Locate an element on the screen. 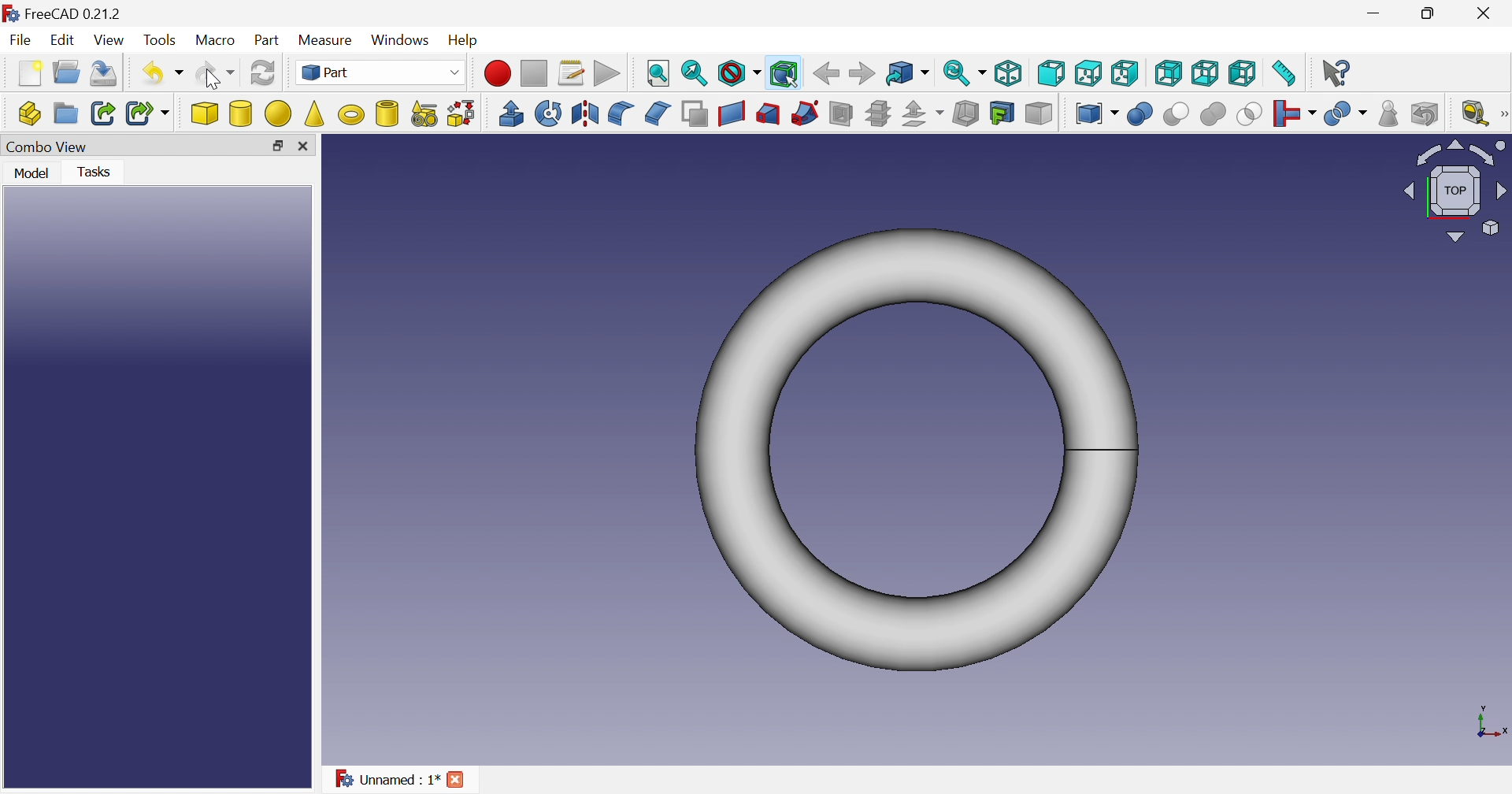 Image resolution: width=1512 pixels, height=794 pixels. Isometric is located at coordinates (1009, 74).